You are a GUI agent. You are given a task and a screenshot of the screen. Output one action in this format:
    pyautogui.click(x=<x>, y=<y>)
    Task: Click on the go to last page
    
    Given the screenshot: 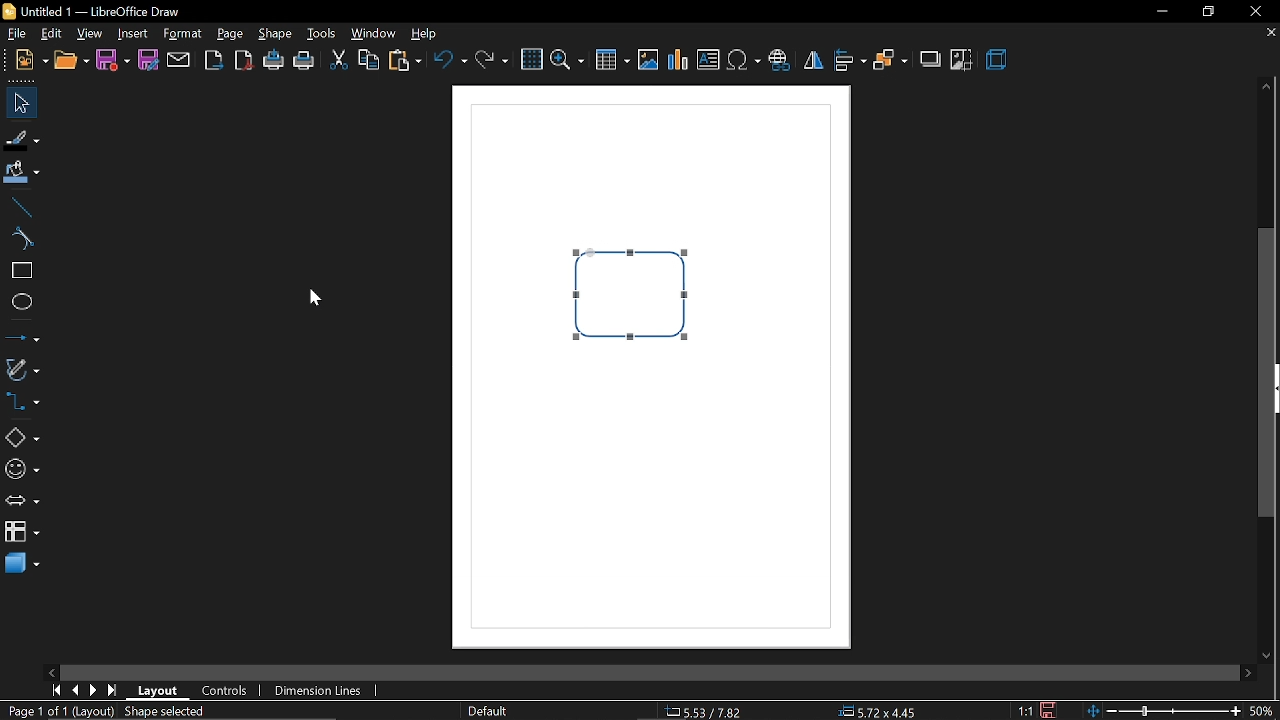 What is the action you would take?
    pyautogui.click(x=112, y=690)
    